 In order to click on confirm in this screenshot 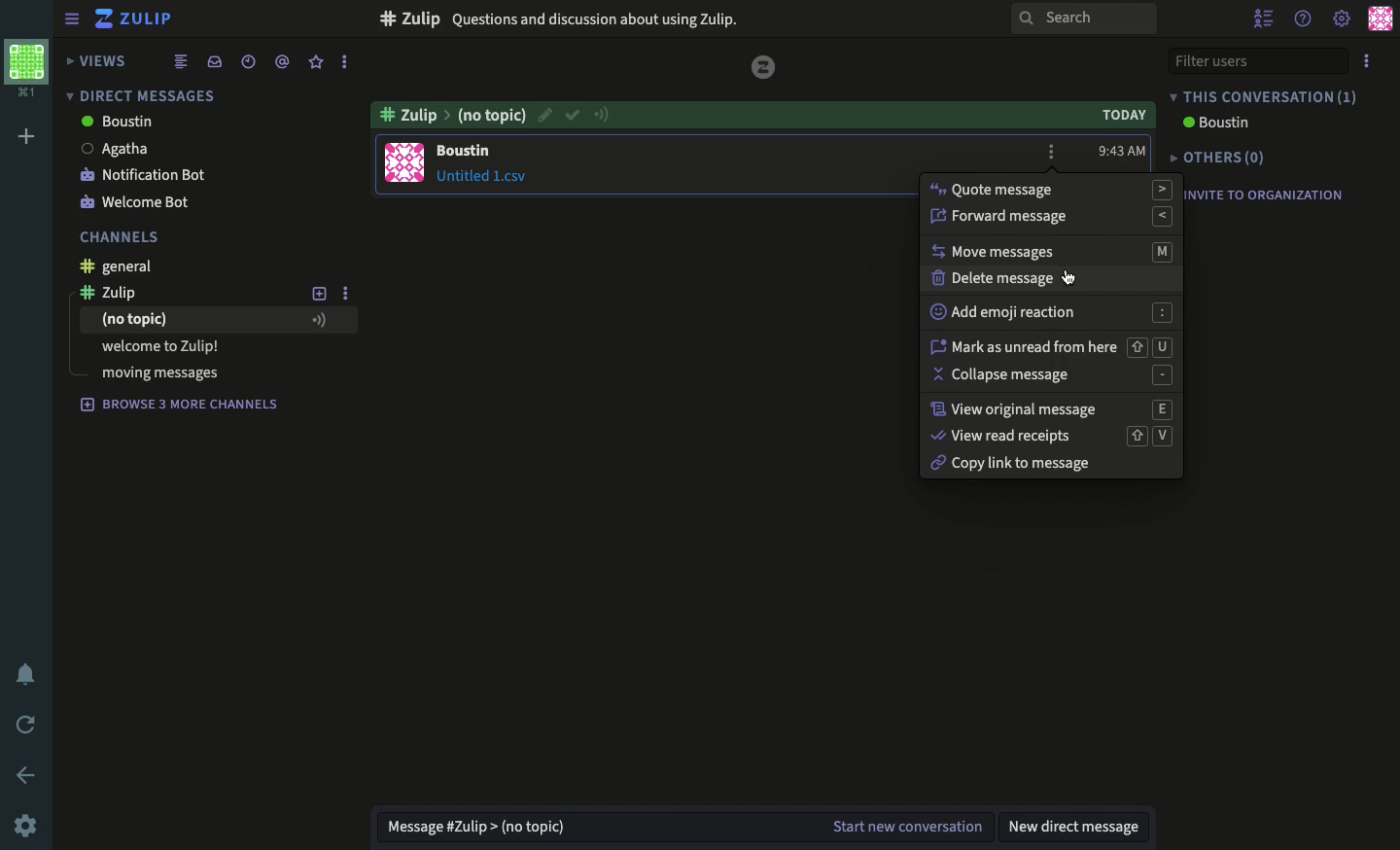, I will do `click(573, 117)`.